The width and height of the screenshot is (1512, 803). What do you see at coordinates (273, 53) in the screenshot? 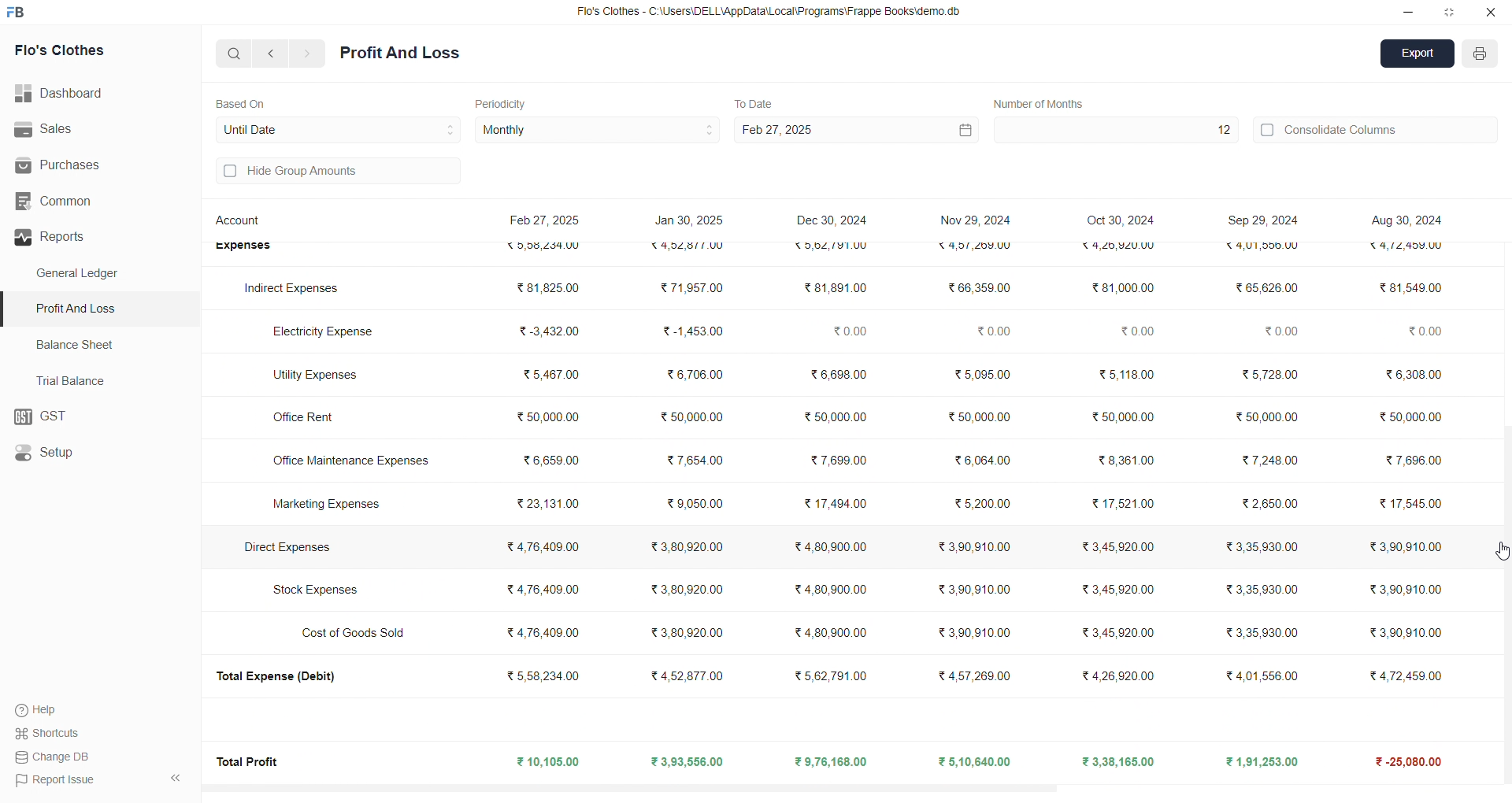
I see `navigate backward` at bounding box center [273, 53].